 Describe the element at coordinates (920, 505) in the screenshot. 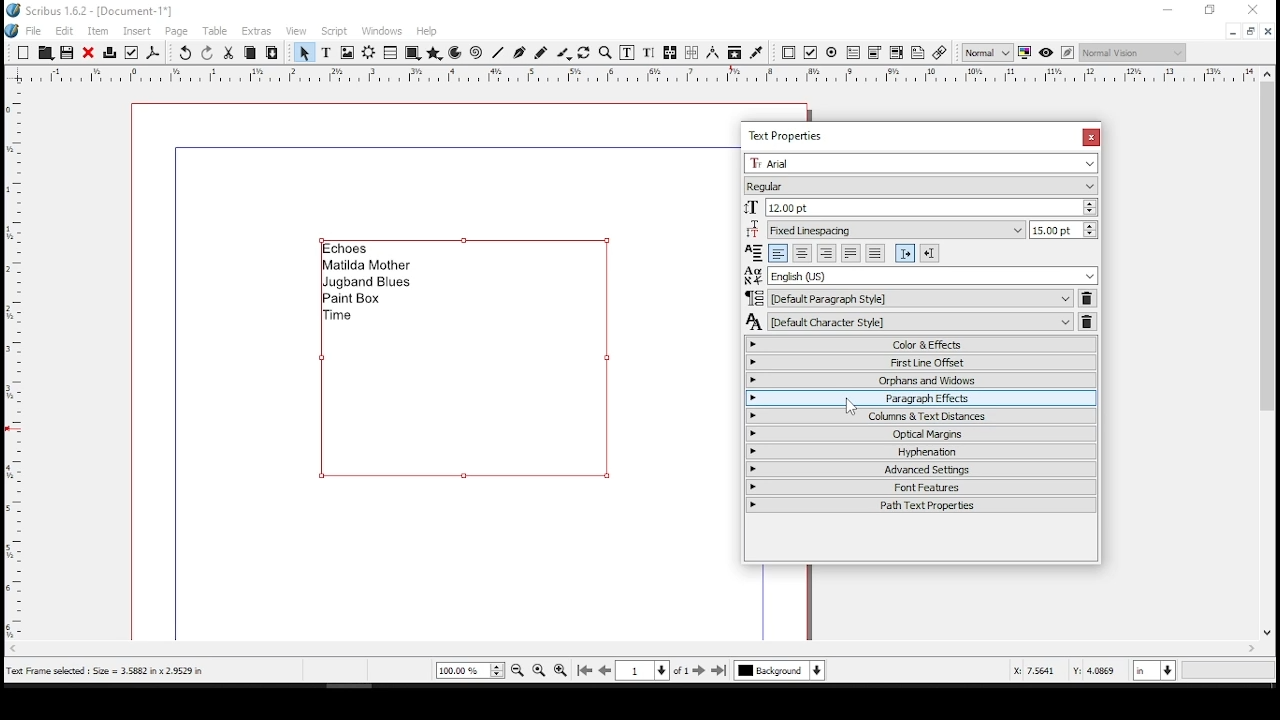

I see `path text properties` at that location.